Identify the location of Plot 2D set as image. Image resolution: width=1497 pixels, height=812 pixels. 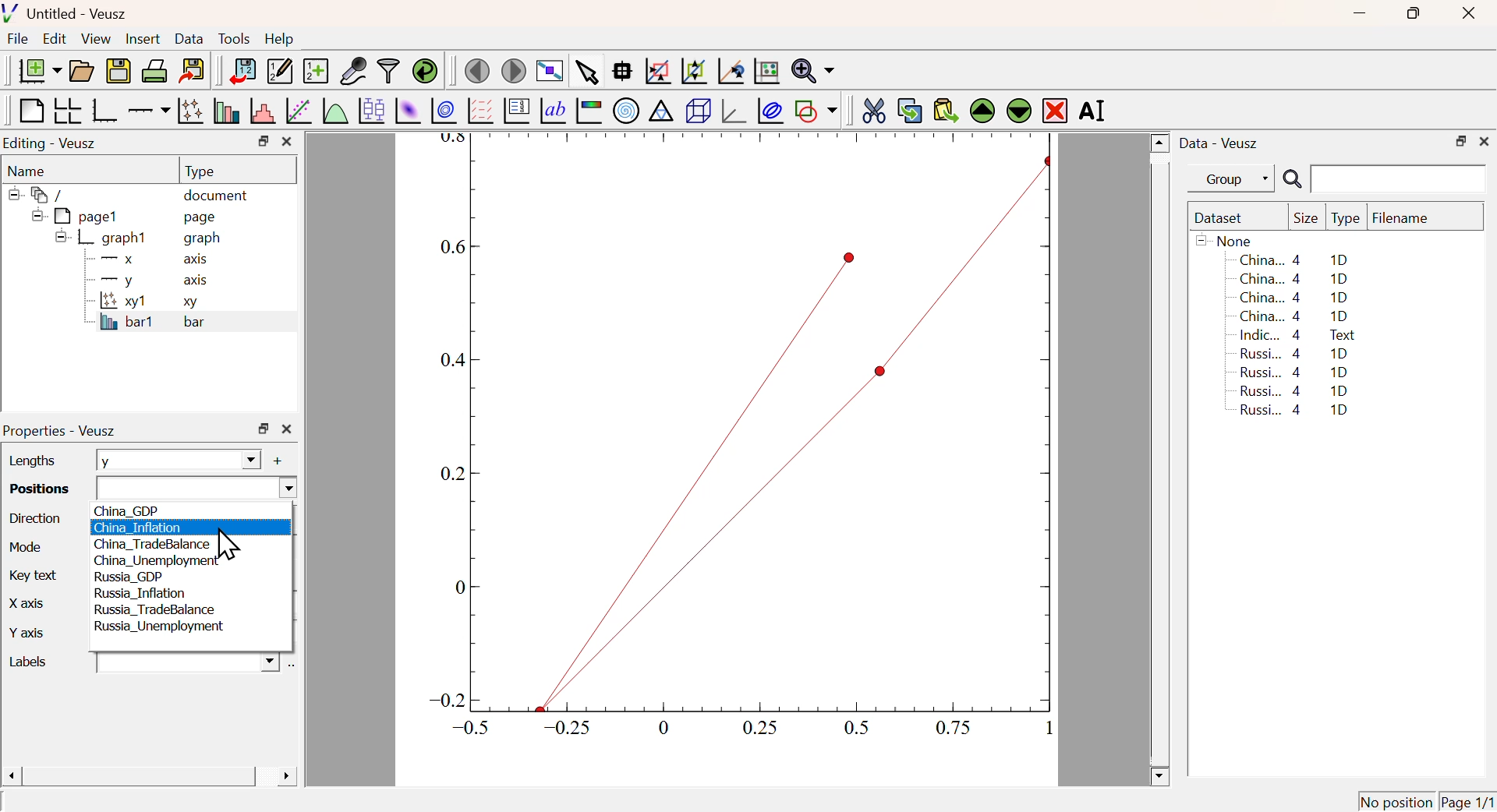
(407, 111).